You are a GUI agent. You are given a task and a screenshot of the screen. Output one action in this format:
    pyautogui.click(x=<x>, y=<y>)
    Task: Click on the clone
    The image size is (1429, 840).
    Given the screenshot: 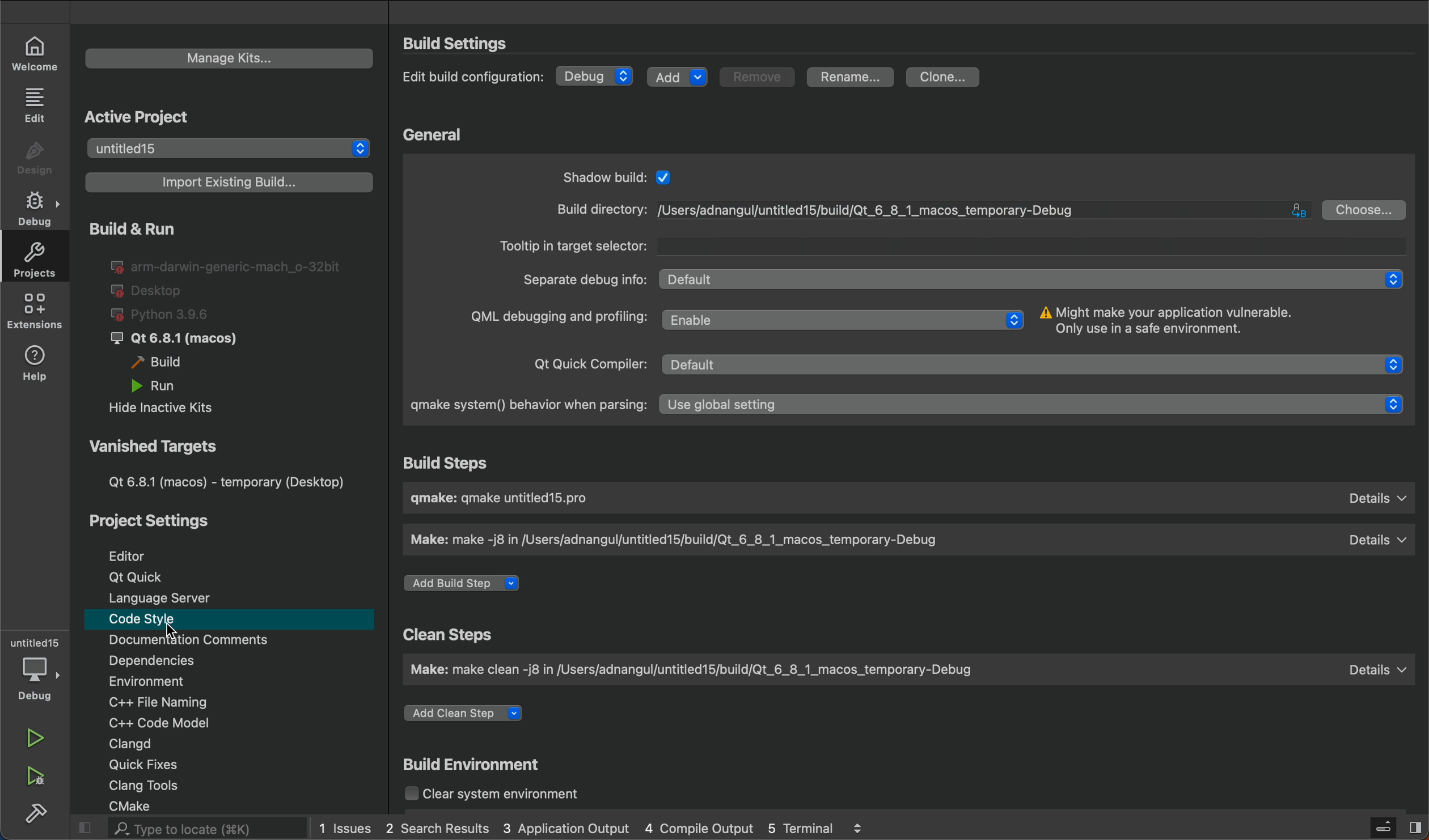 What is the action you would take?
    pyautogui.click(x=945, y=78)
    